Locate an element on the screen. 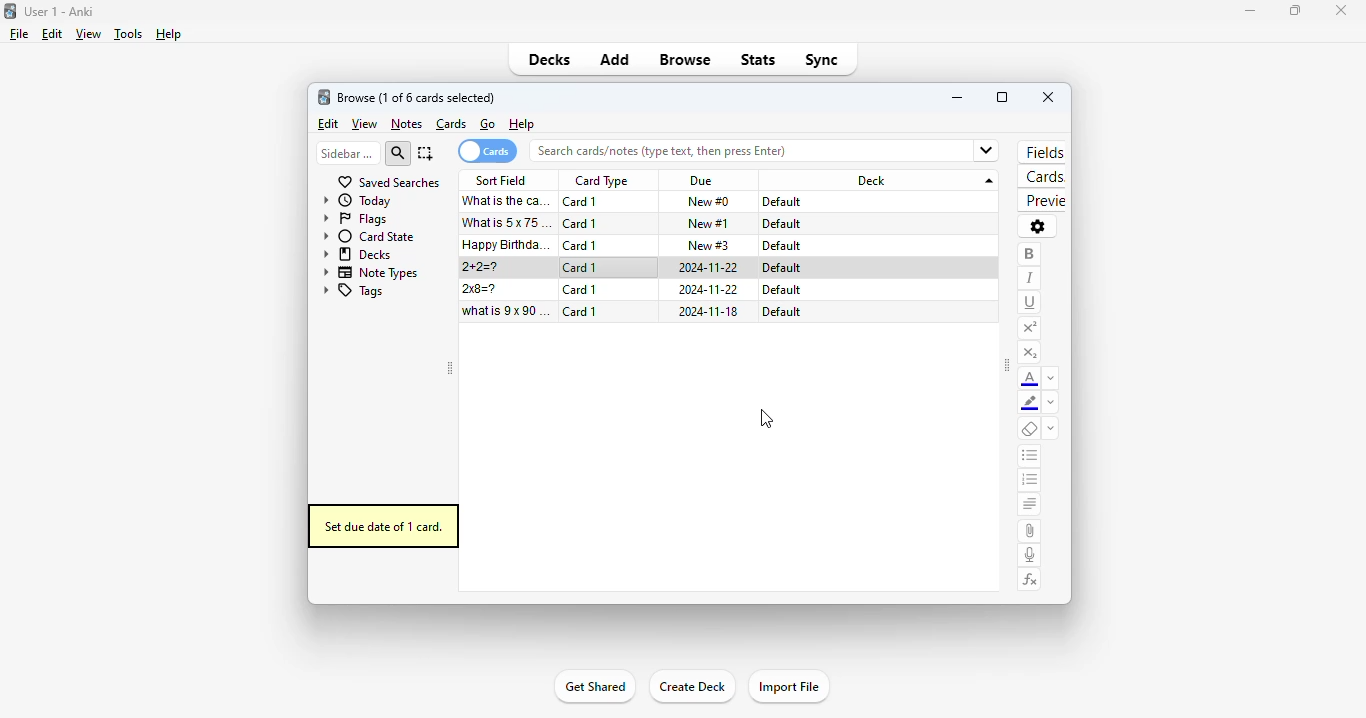 The image size is (1366, 718). sync is located at coordinates (821, 60).